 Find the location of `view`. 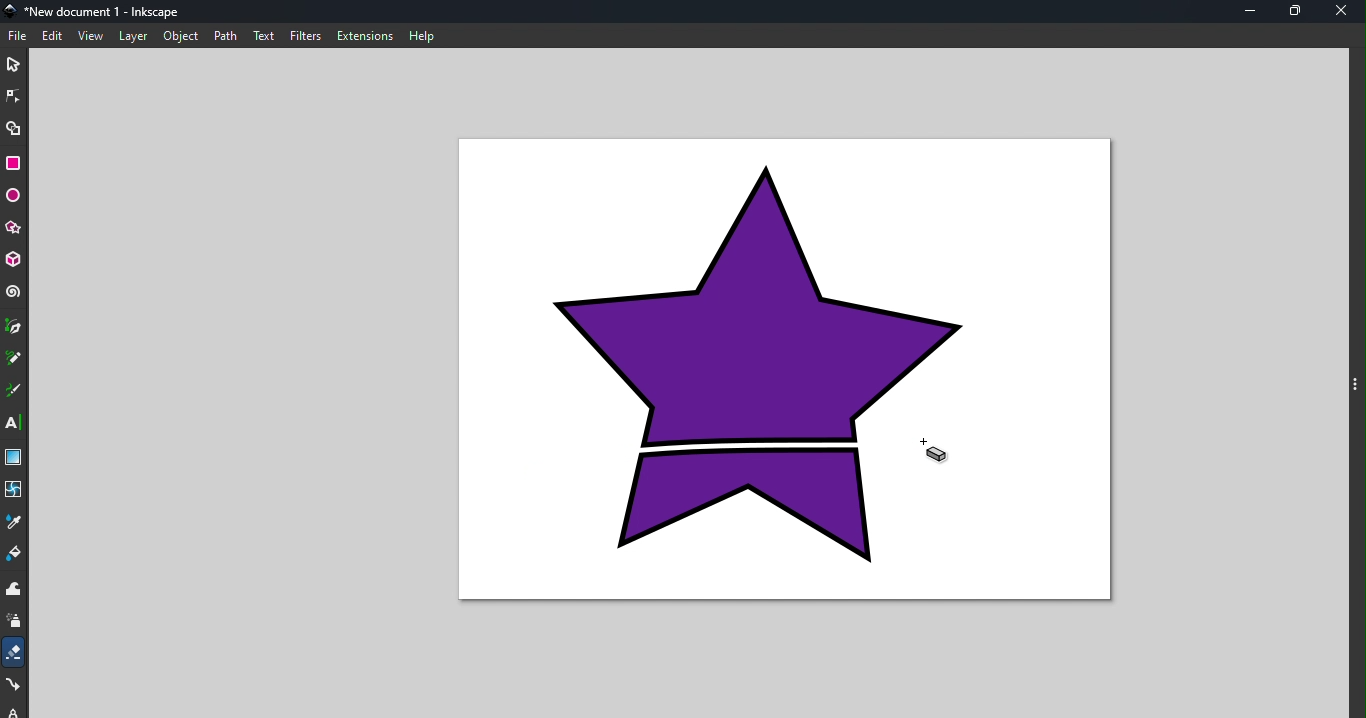

view is located at coordinates (91, 37).